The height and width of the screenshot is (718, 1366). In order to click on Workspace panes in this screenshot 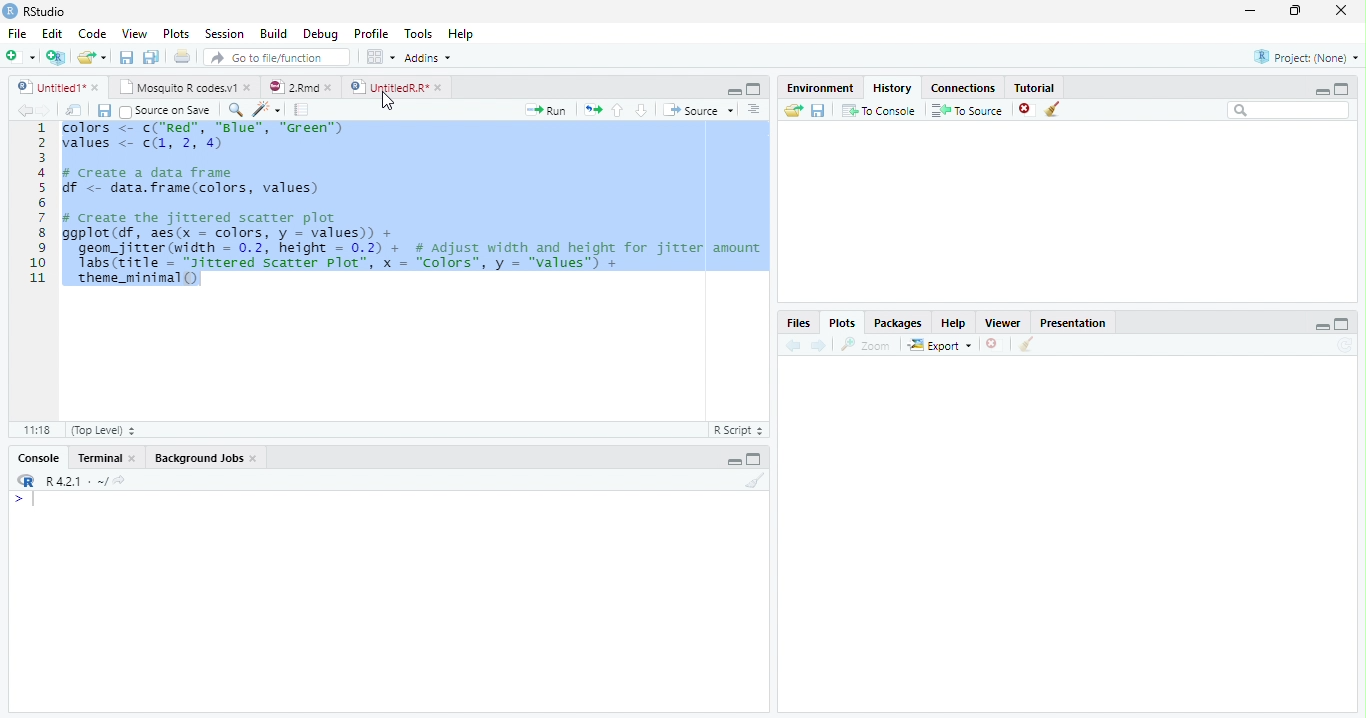, I will do `click(381, 58)`.